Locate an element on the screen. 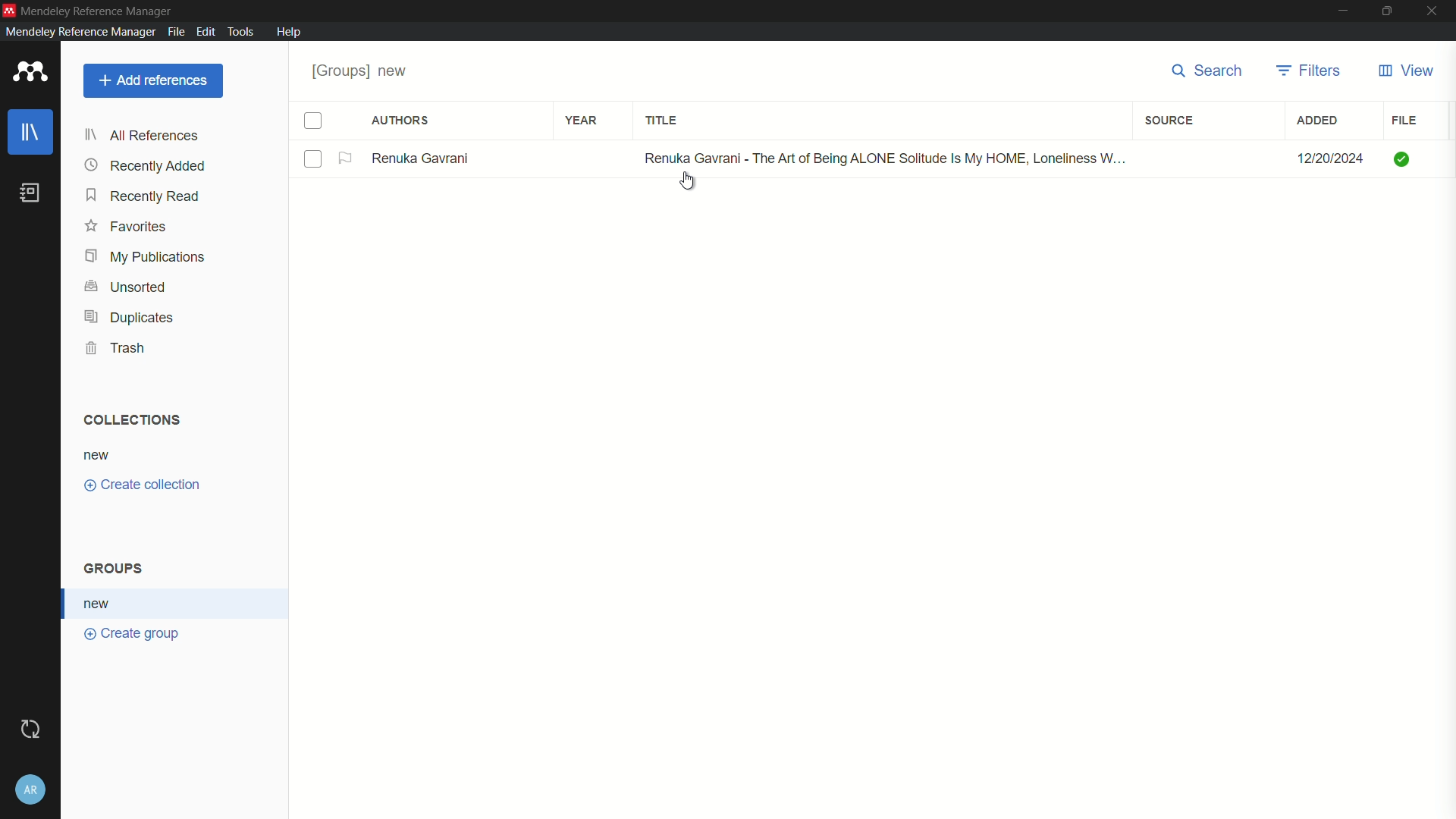 This screenshot has height=819, width=1456. 12/20/2024 is located at coordinates (1329, 156).